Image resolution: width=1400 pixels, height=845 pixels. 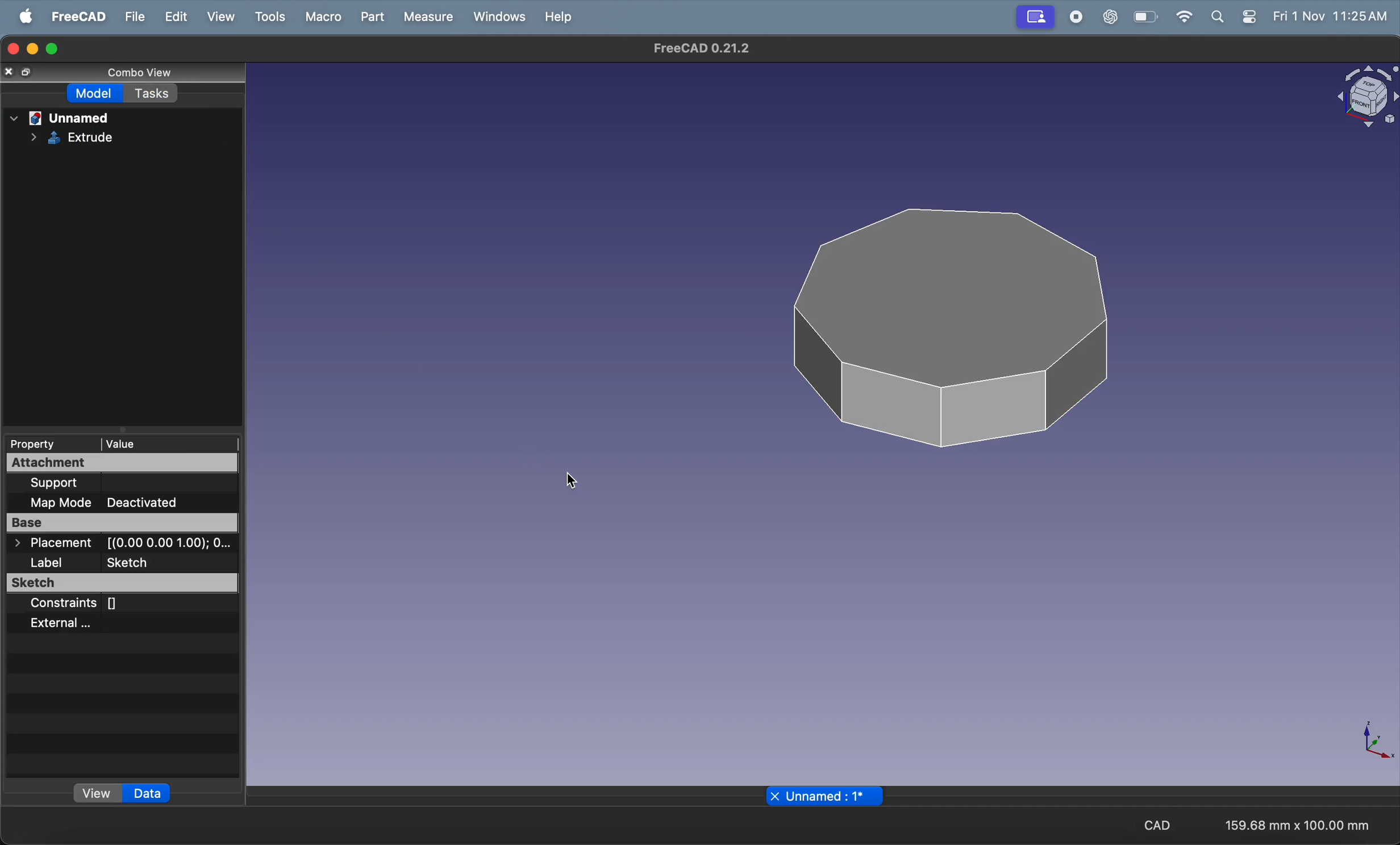 What do you see at coordinates (10, 74) in the screenshot?
I see `close` at bounding box center [10, 74].